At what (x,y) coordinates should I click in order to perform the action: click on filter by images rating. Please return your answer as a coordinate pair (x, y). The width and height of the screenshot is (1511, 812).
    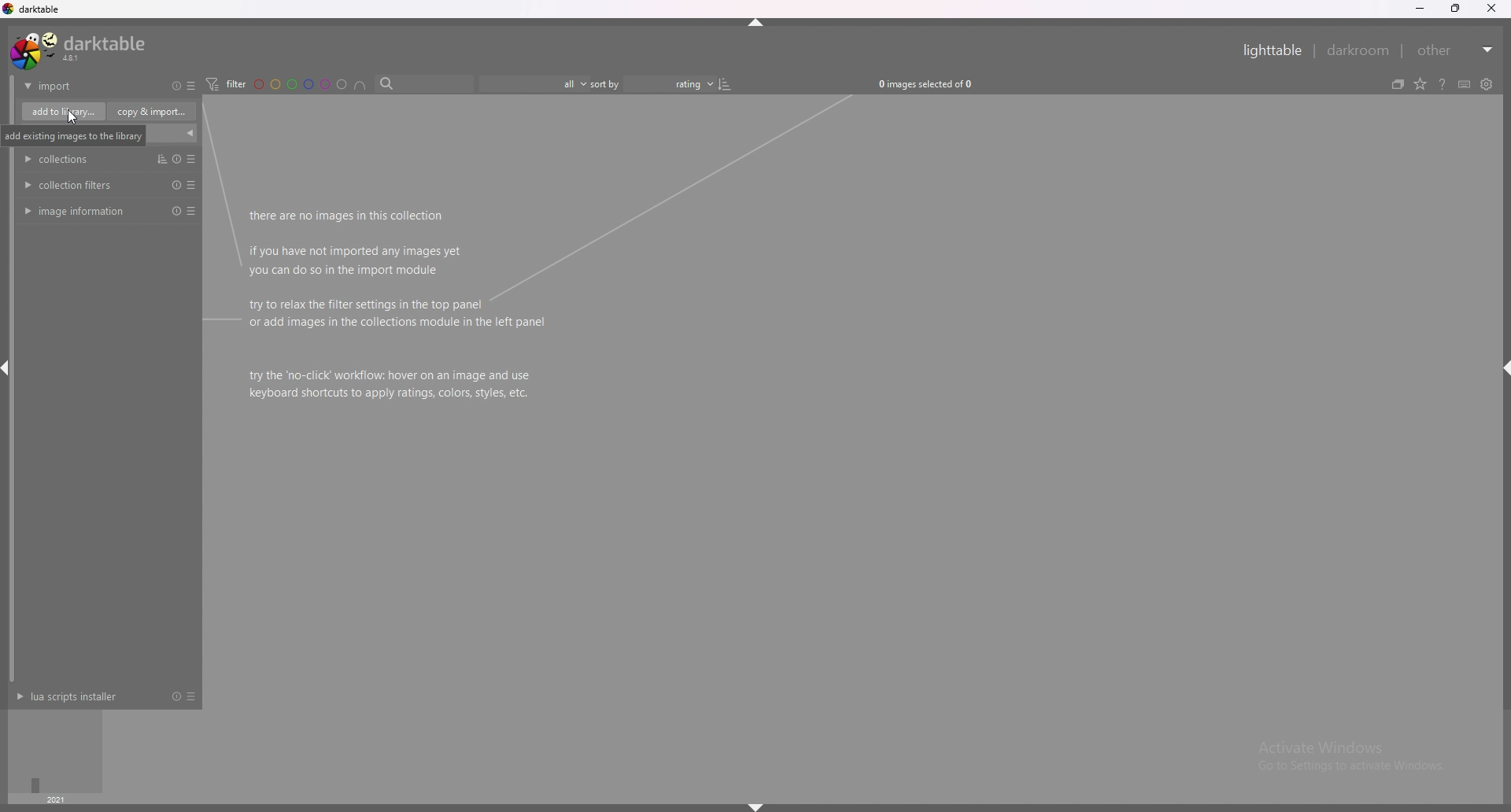
    Looking at the image, I should click on (532, 84).